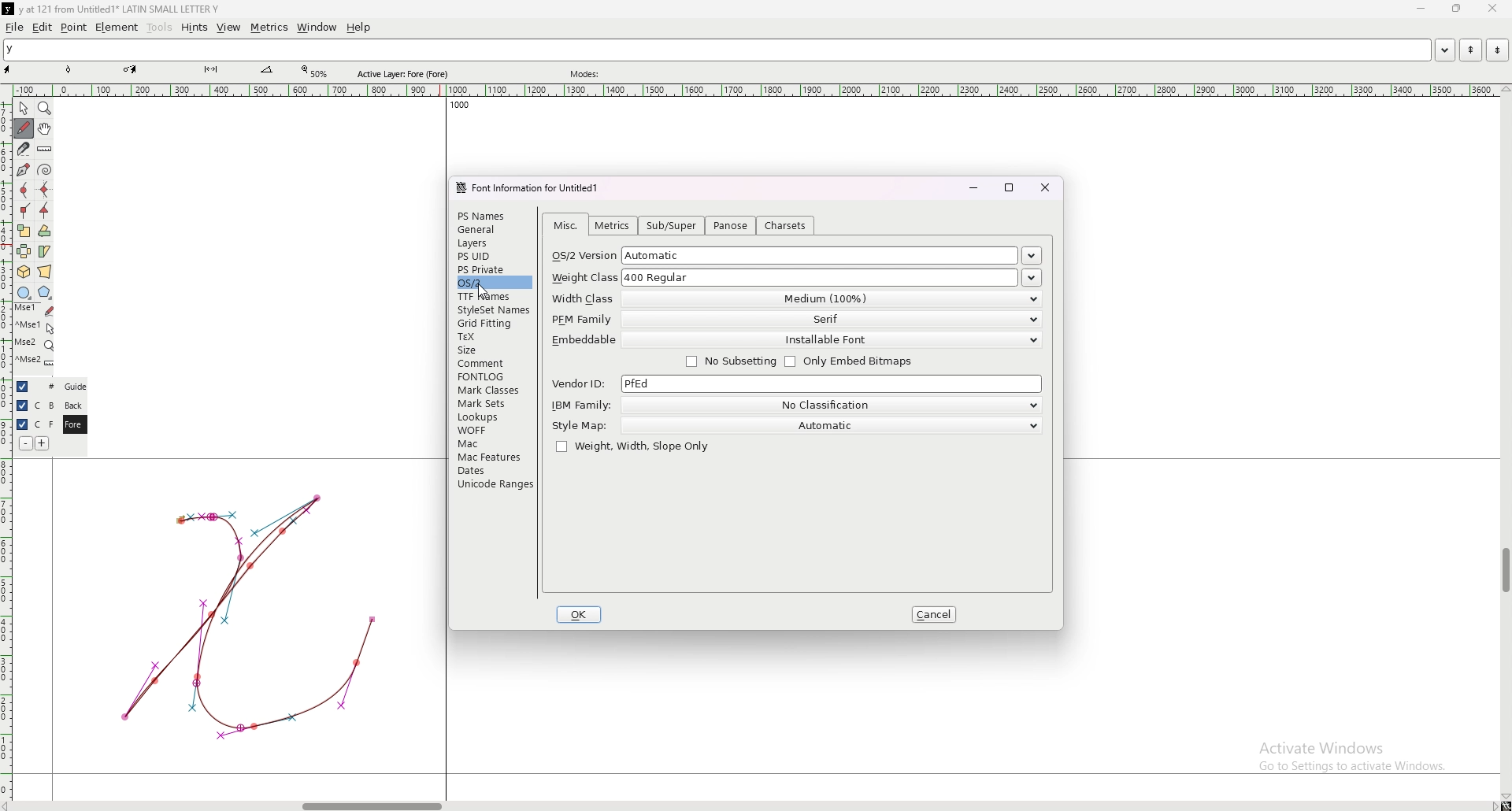 The width and height of the screenshot is (1512, 811). What do you see at coordinates (69, 69) in the screenshot?
I see `point tool` at bounding box center [69, 69].